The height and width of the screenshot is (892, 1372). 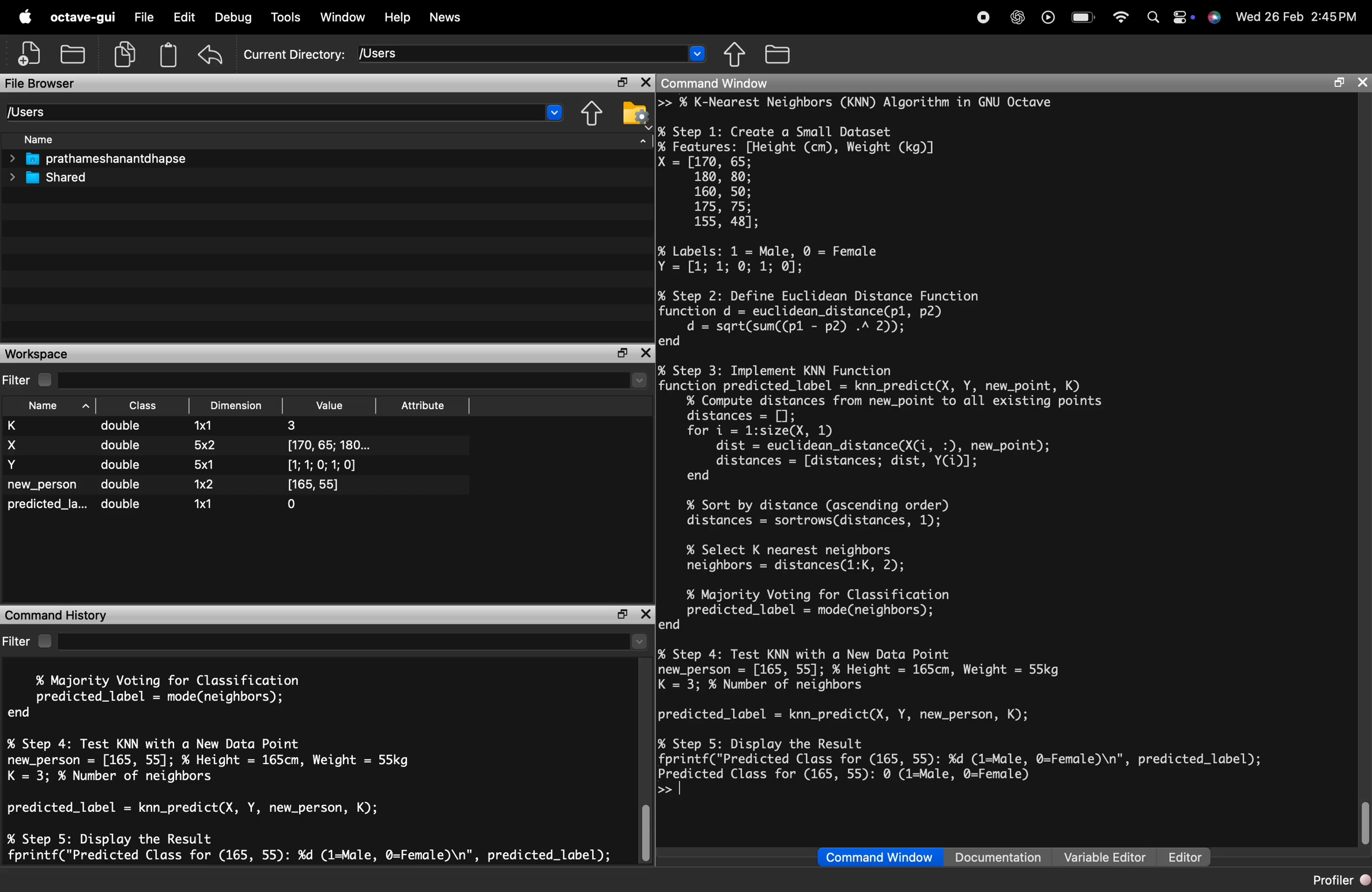 I want to click on copy, so click(x=125, y=54).